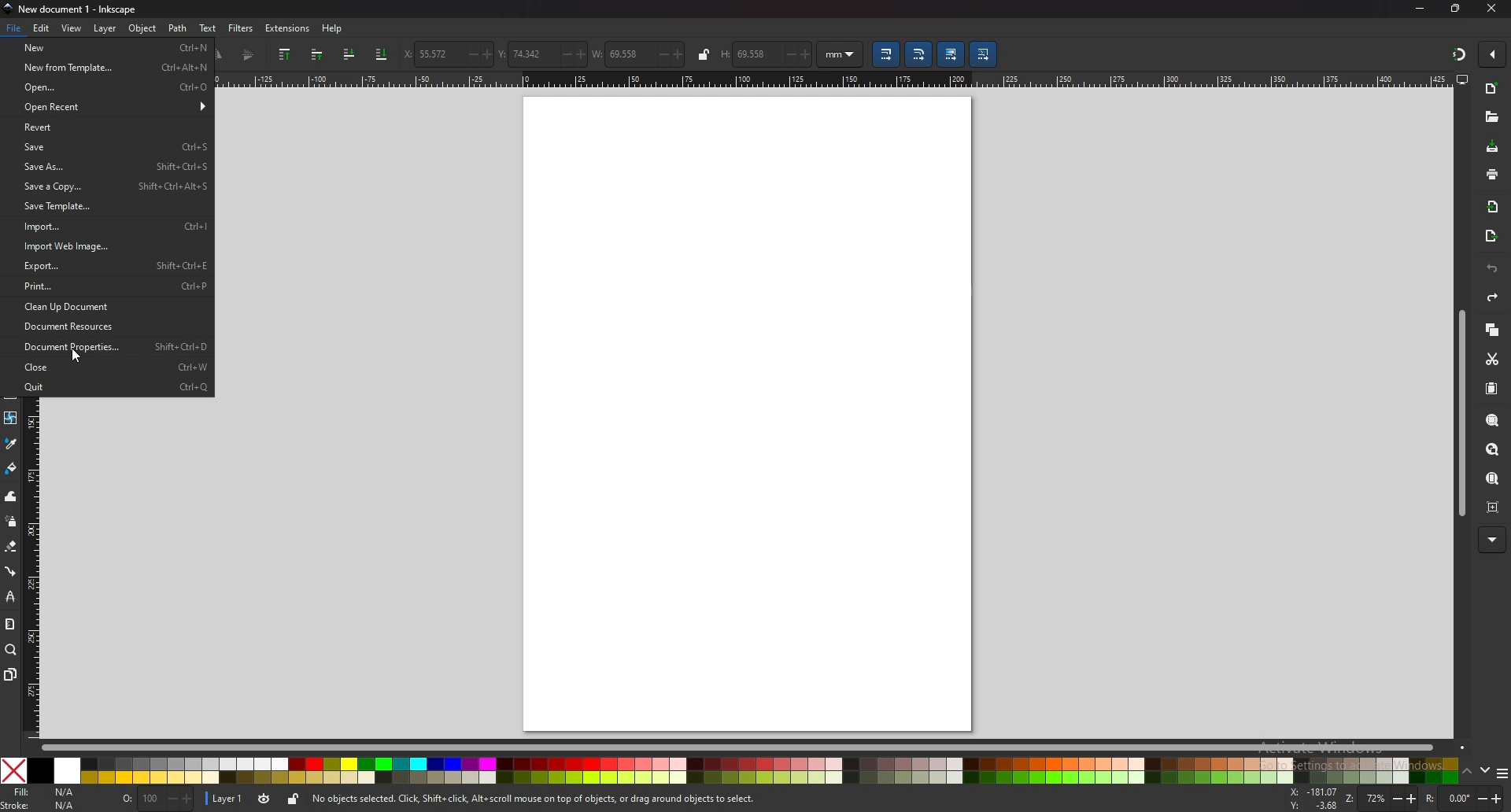 The image size is (1511, 812). Describe the element at coordinates (425, 55) in the screenshot. I see `horizontal coordinate` at that location.